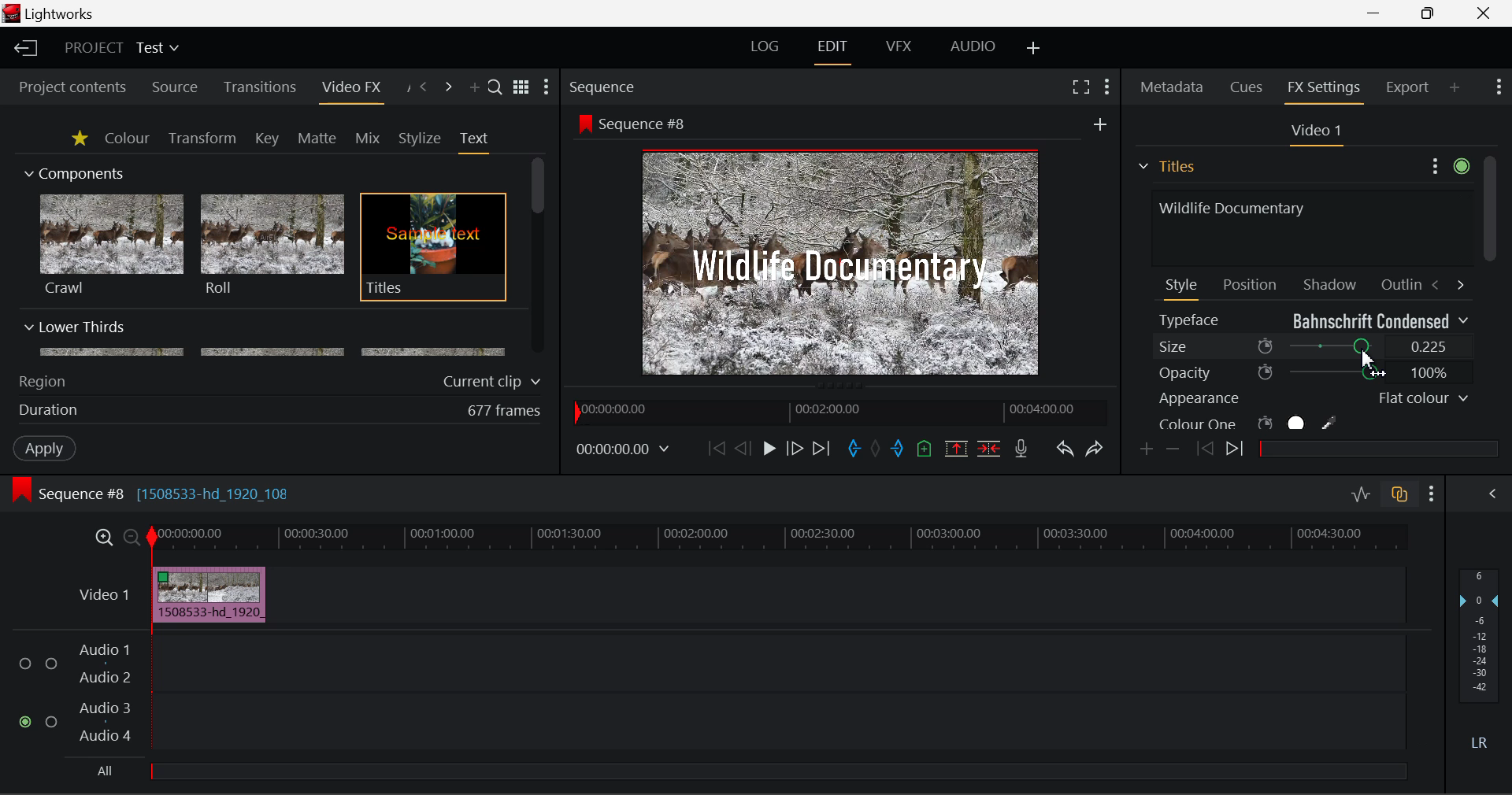  What do you see at coordinates (81, 139) in the screenshot?
I see `Favorites` at bounding box center [81, 139].